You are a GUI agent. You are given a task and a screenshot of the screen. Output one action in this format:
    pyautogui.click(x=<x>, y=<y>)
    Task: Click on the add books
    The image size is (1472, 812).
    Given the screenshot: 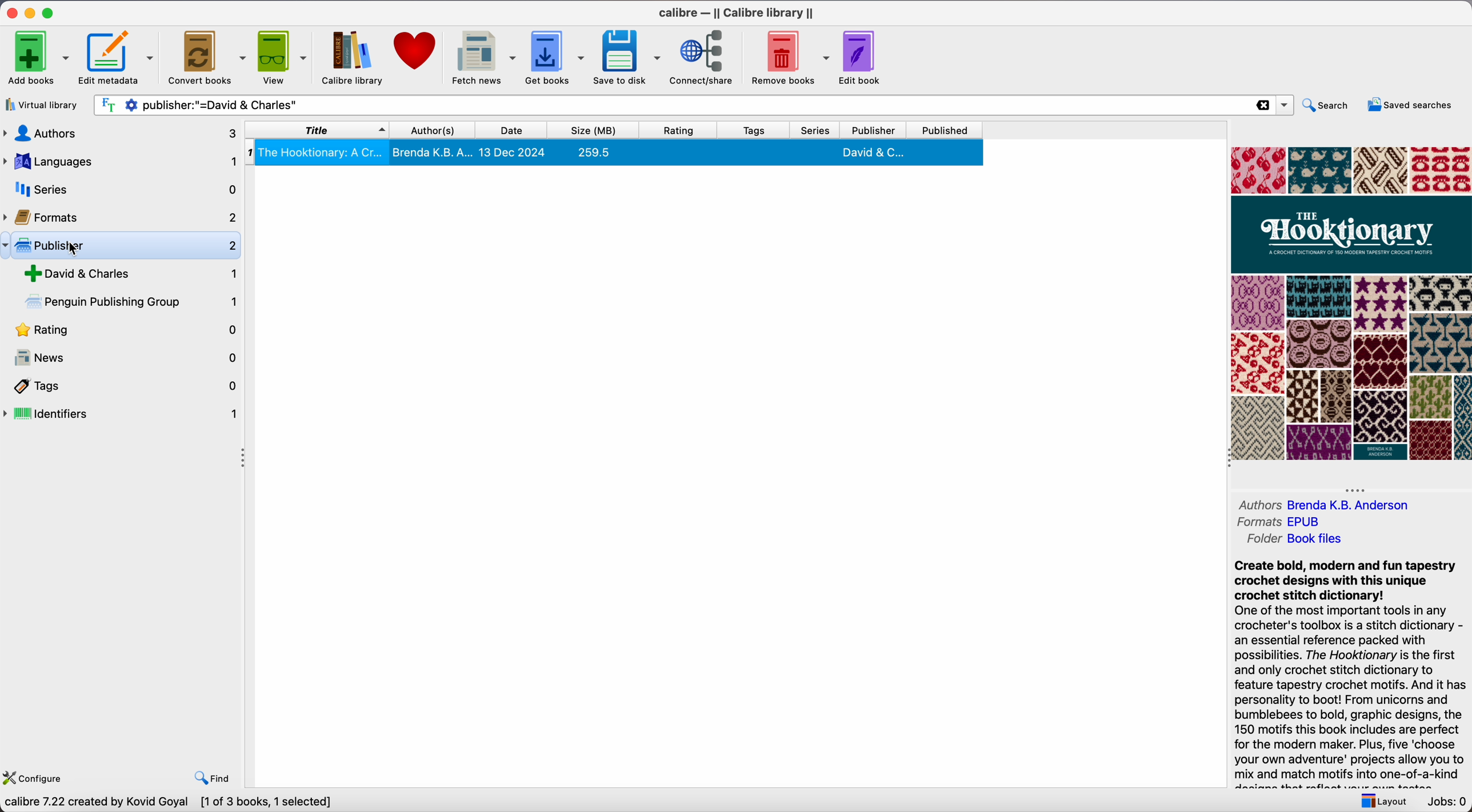 What is the action you would take?
    pyautogui.click(x=38, y=56)
    